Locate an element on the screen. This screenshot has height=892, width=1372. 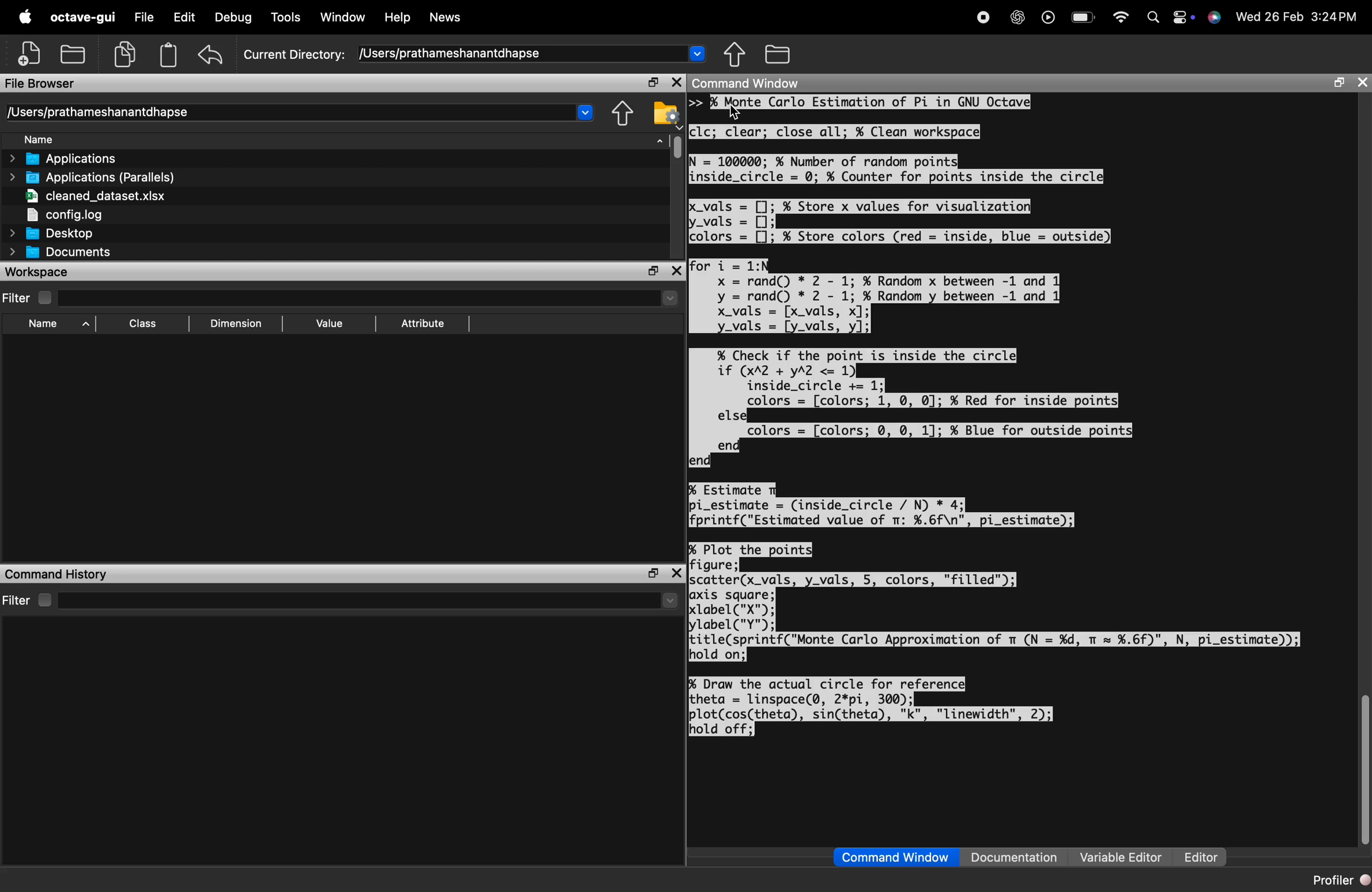
siri is located at coordinates (1213, 18).